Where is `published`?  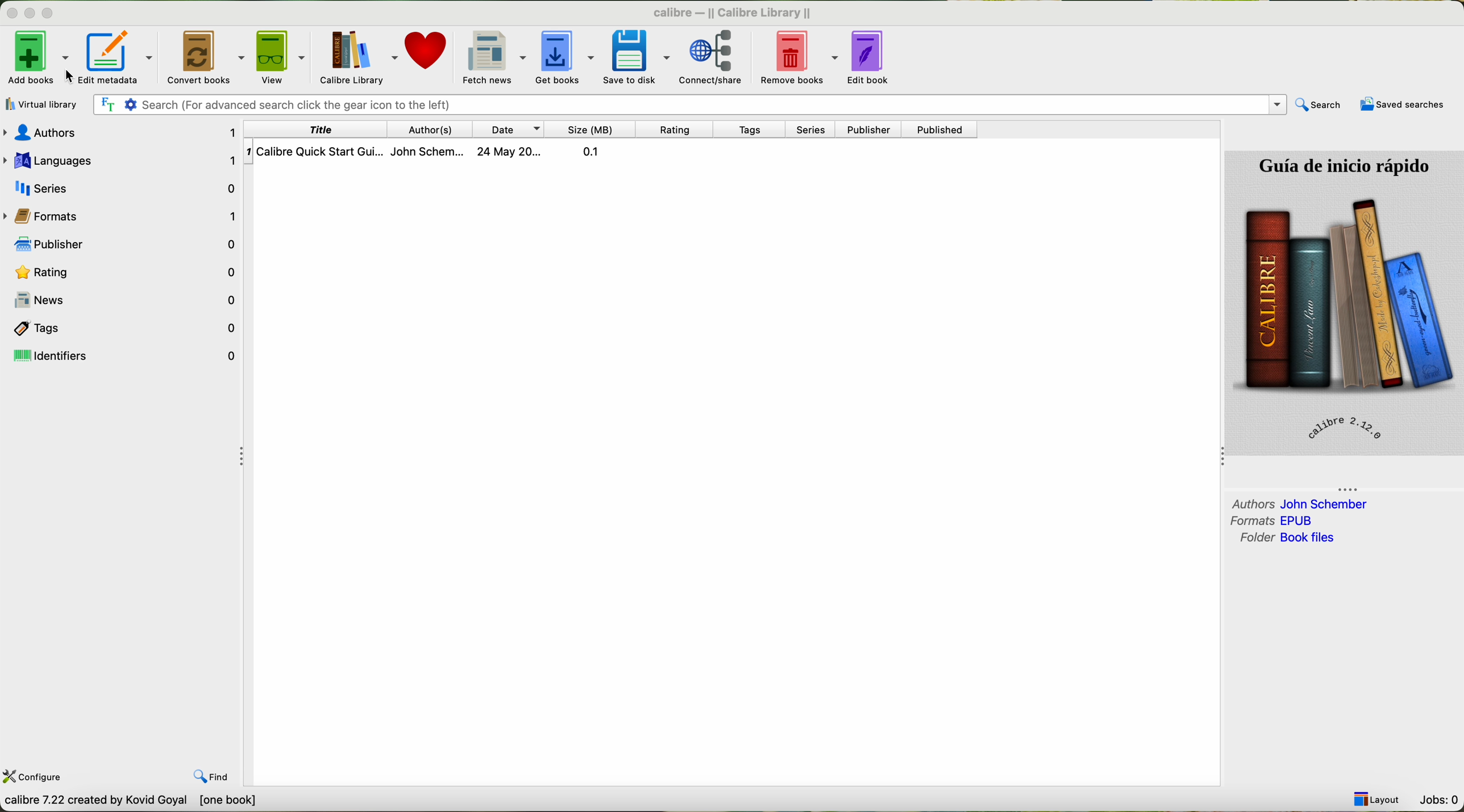 published is located at coordinates (942, 130).